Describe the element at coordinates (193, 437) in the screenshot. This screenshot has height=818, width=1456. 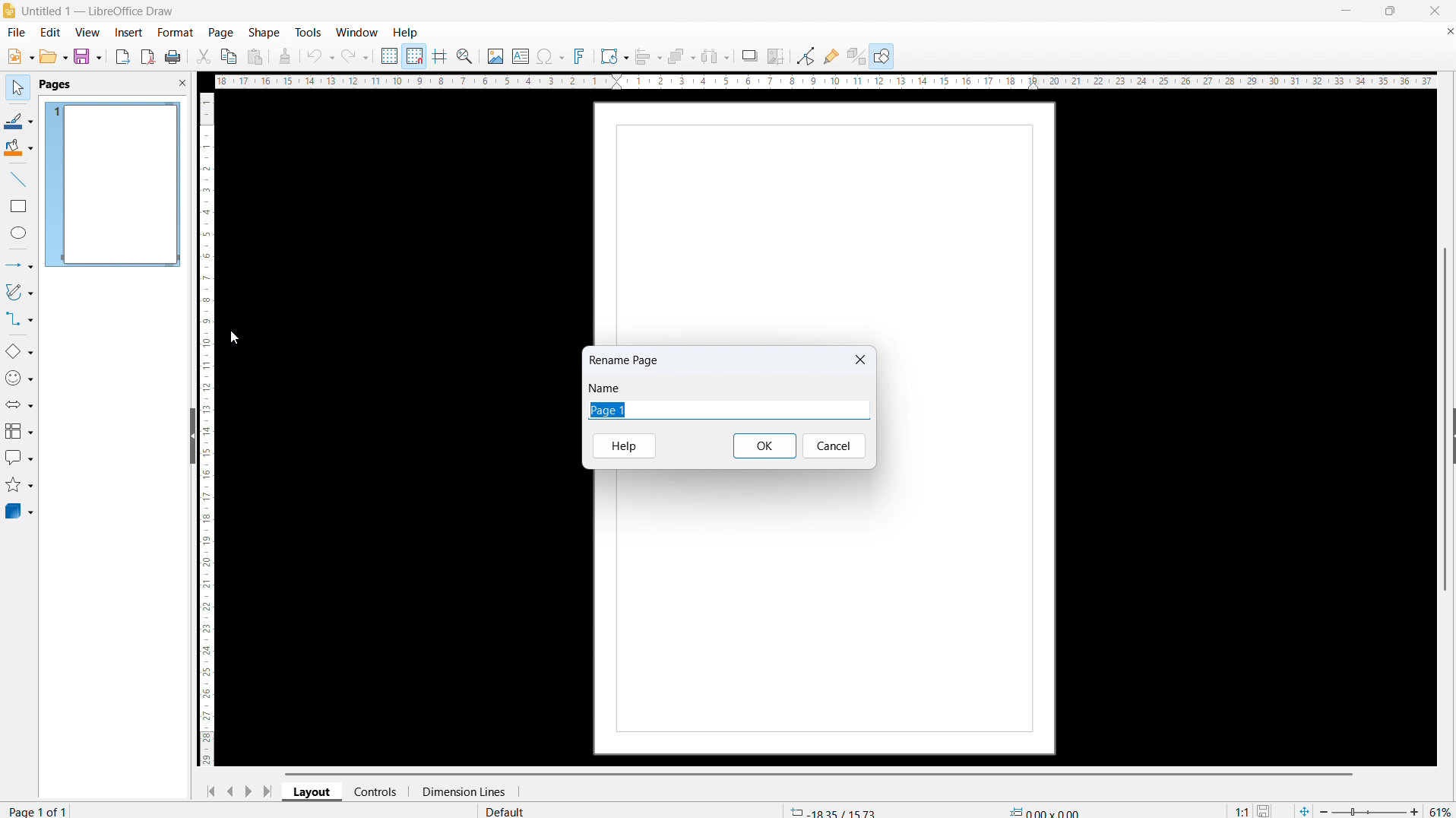
I see `hide pane` at that location.